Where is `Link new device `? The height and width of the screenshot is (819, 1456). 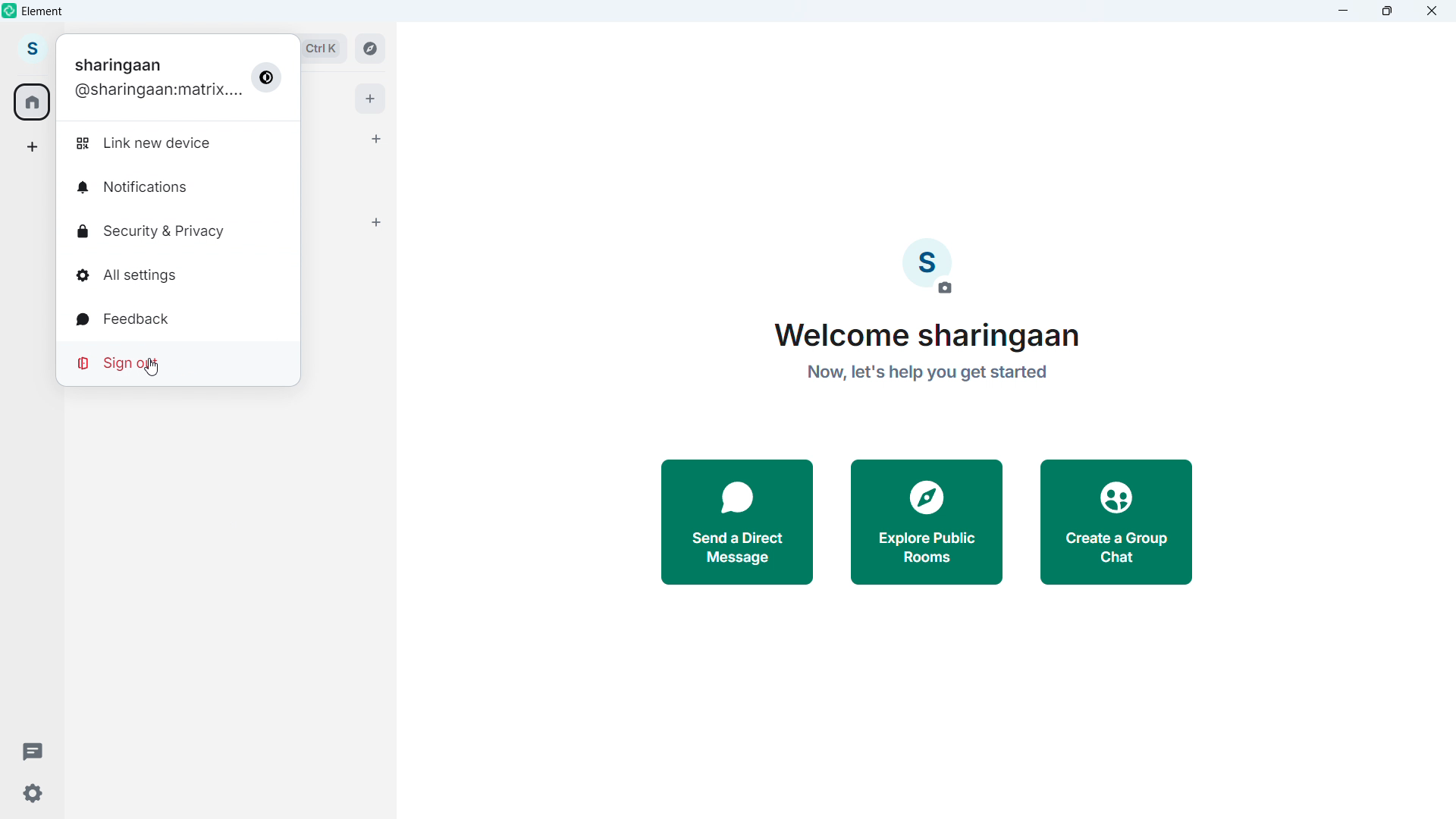
Link new device  is located at coordinates (147, 144).